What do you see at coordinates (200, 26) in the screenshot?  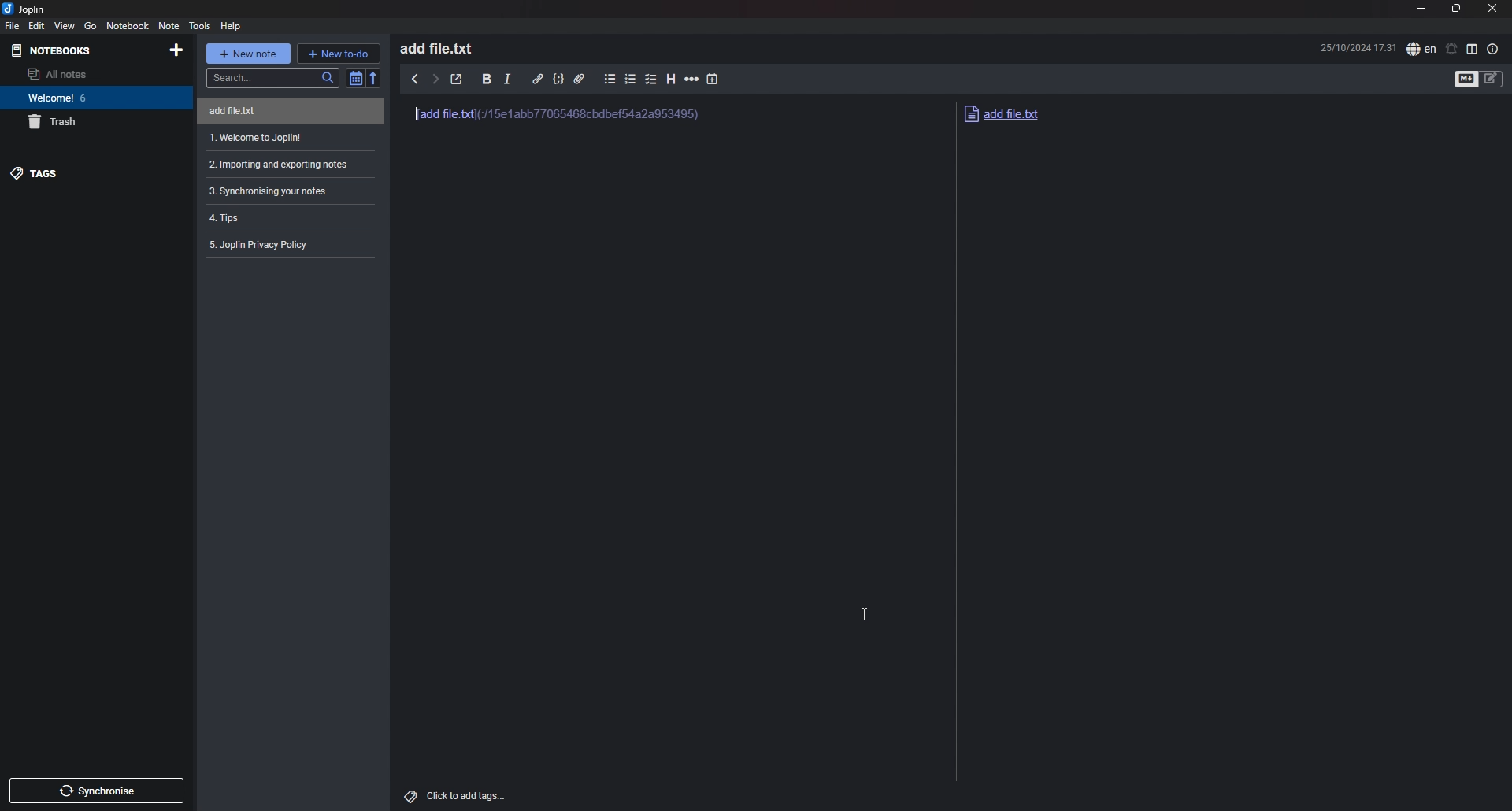 I see `tools` at bounding box center [200, 26].